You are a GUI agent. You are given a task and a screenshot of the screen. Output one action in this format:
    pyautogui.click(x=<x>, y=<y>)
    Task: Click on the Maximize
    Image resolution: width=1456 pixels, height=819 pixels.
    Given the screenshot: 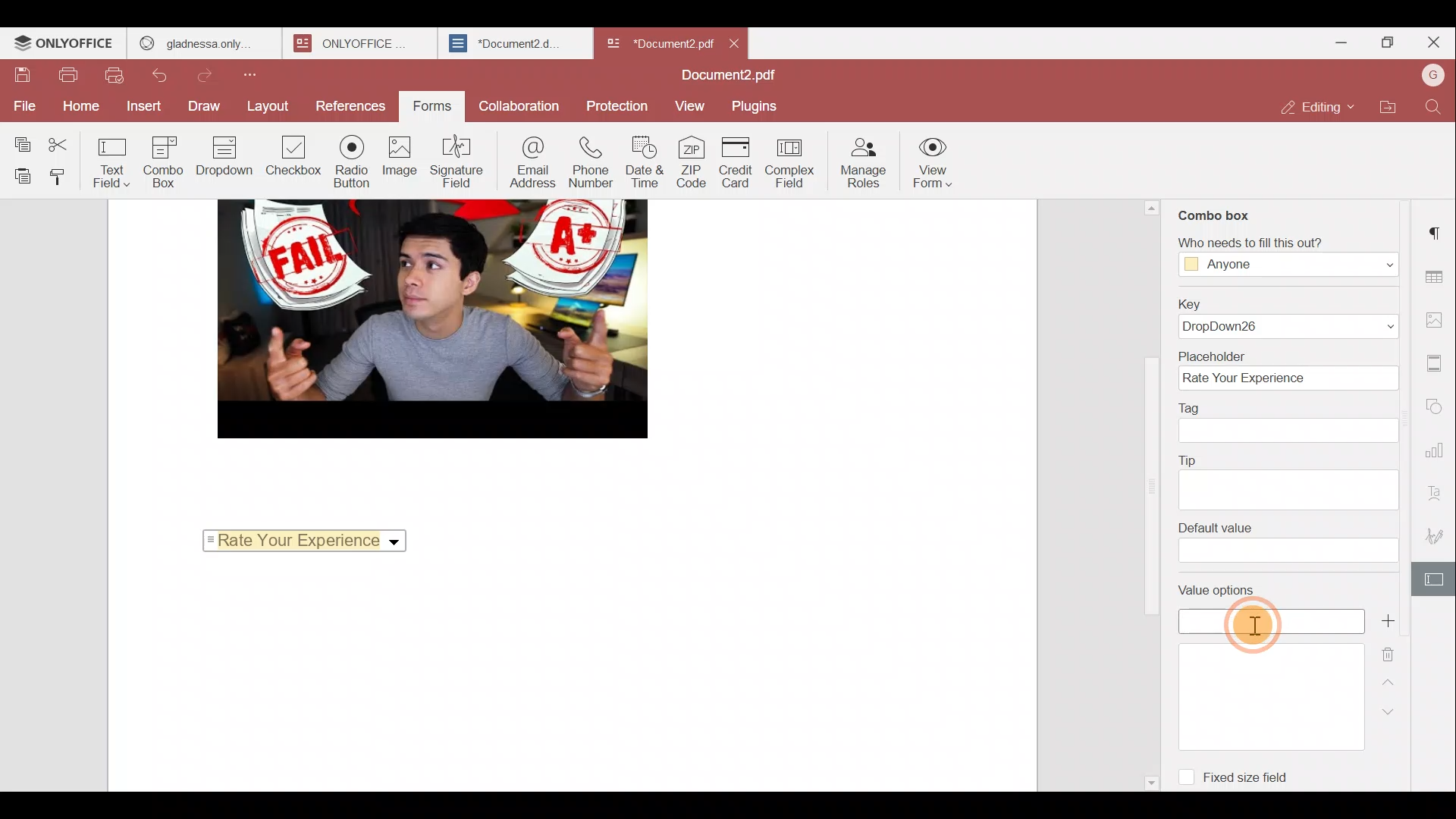 What is the action you would take?
    pyautogui.click(x=1383, y=44)
    